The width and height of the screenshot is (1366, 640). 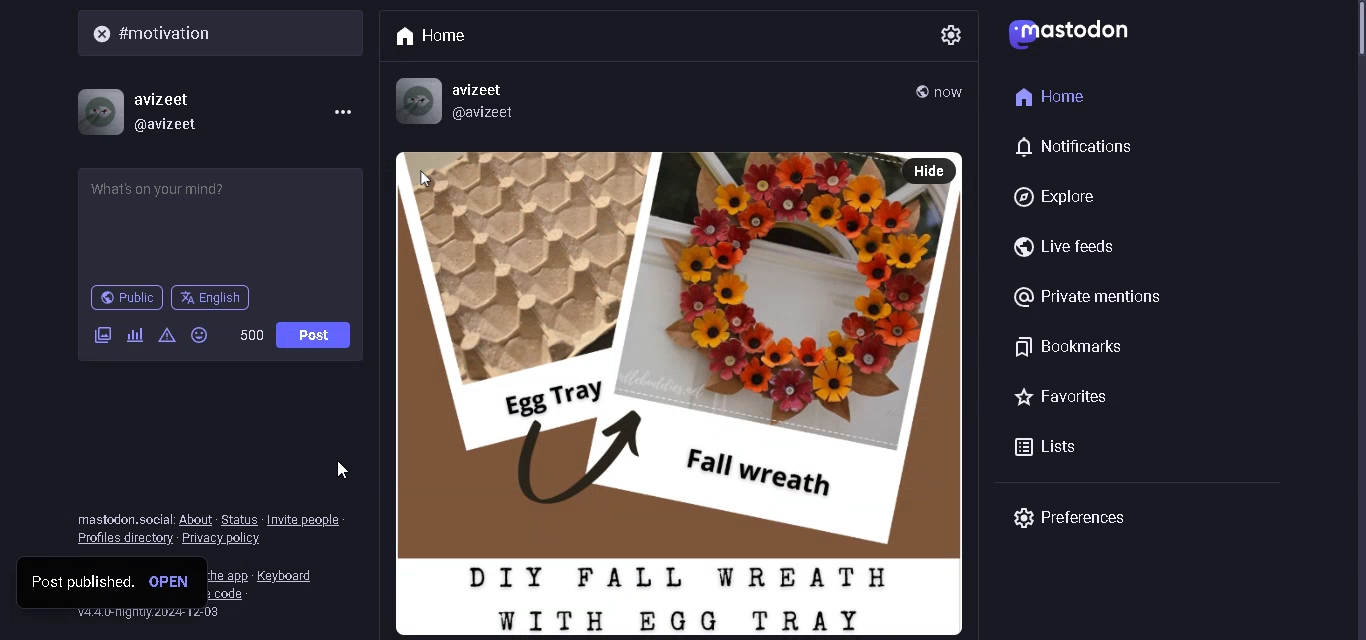 I want to click on profile picture, so click(x=414, y=99).